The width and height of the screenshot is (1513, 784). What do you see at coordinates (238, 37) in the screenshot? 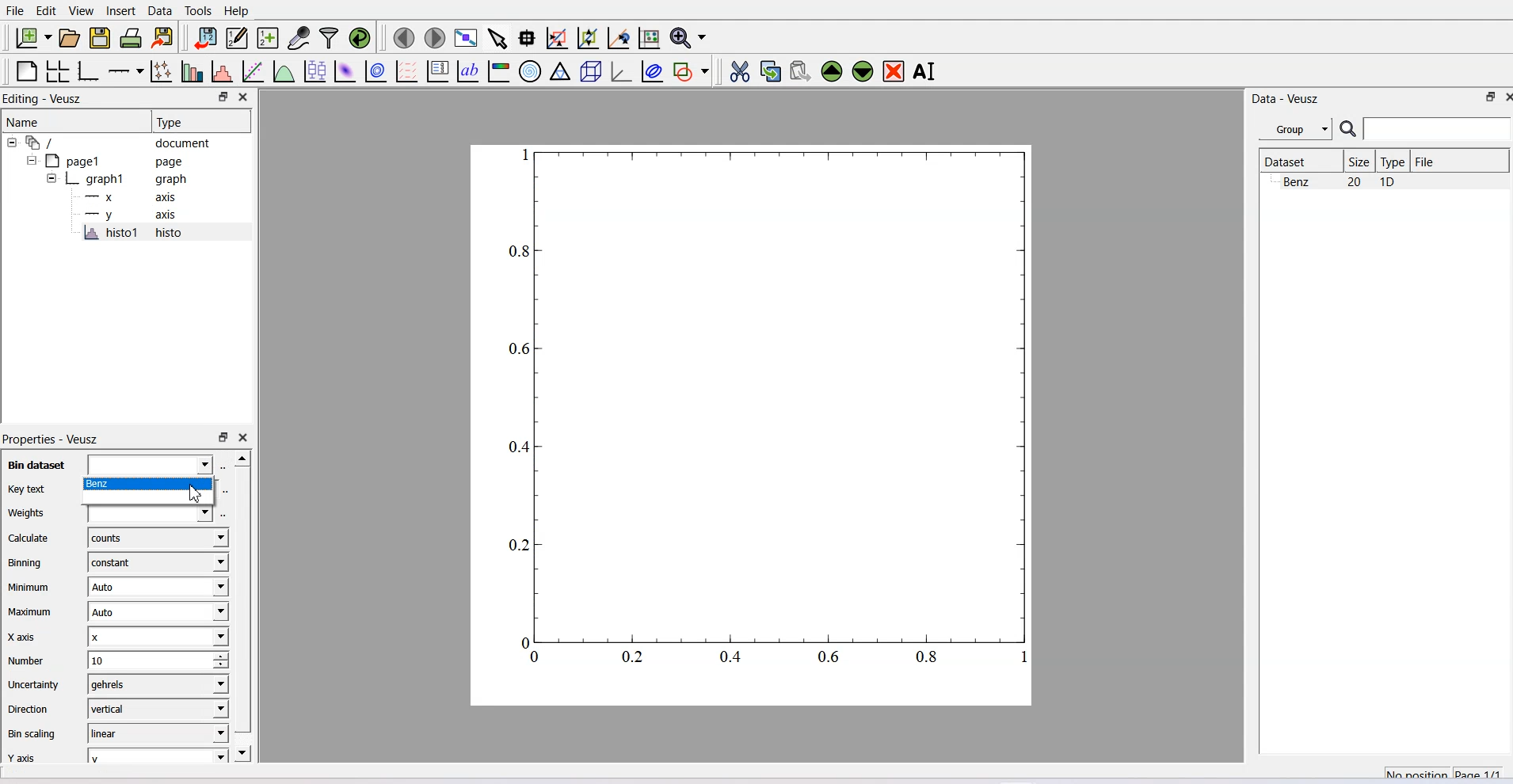
I see `Editor` at bounding box center [238, 37].